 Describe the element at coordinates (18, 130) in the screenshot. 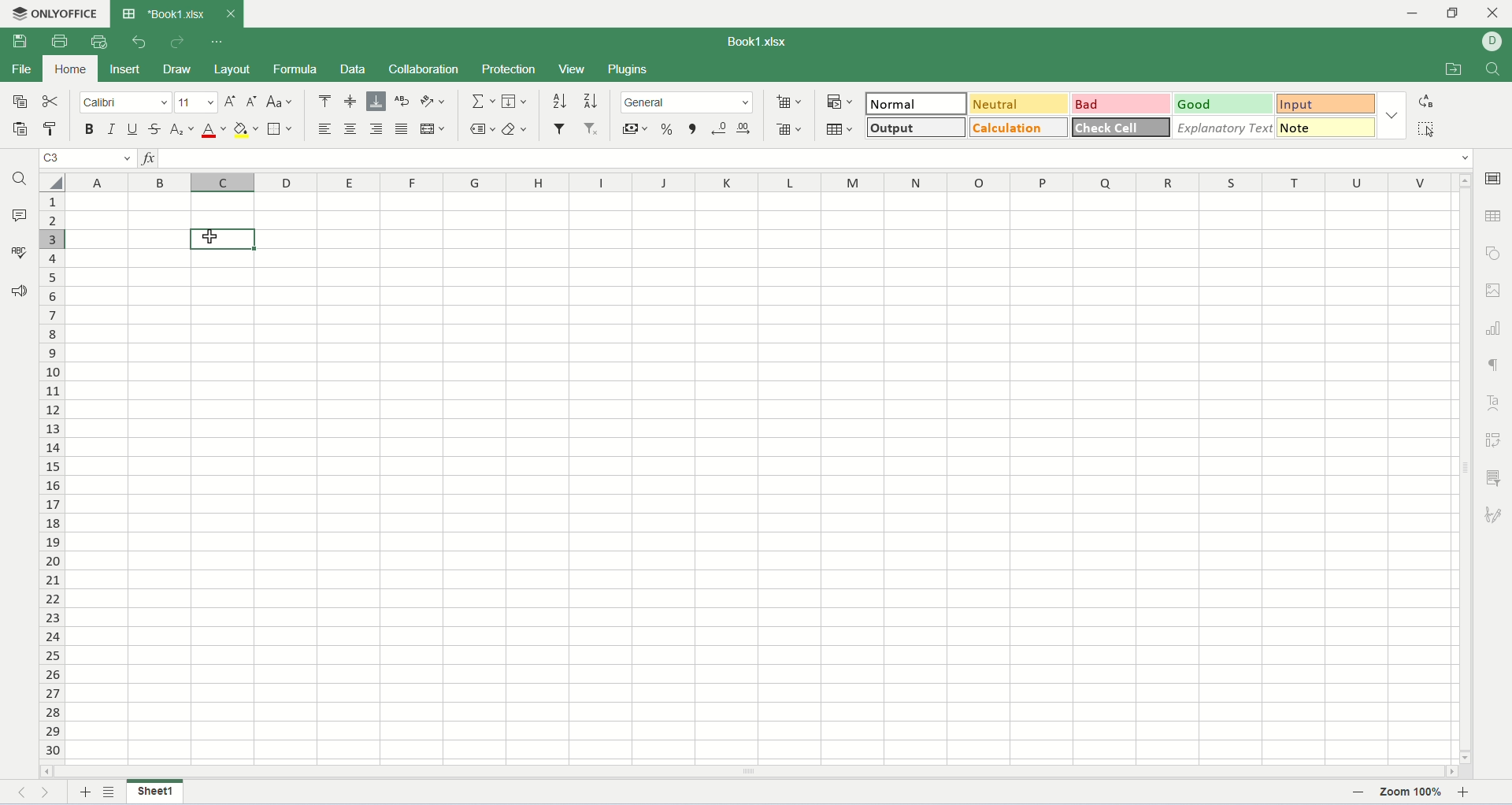

I see `paste` at that location.